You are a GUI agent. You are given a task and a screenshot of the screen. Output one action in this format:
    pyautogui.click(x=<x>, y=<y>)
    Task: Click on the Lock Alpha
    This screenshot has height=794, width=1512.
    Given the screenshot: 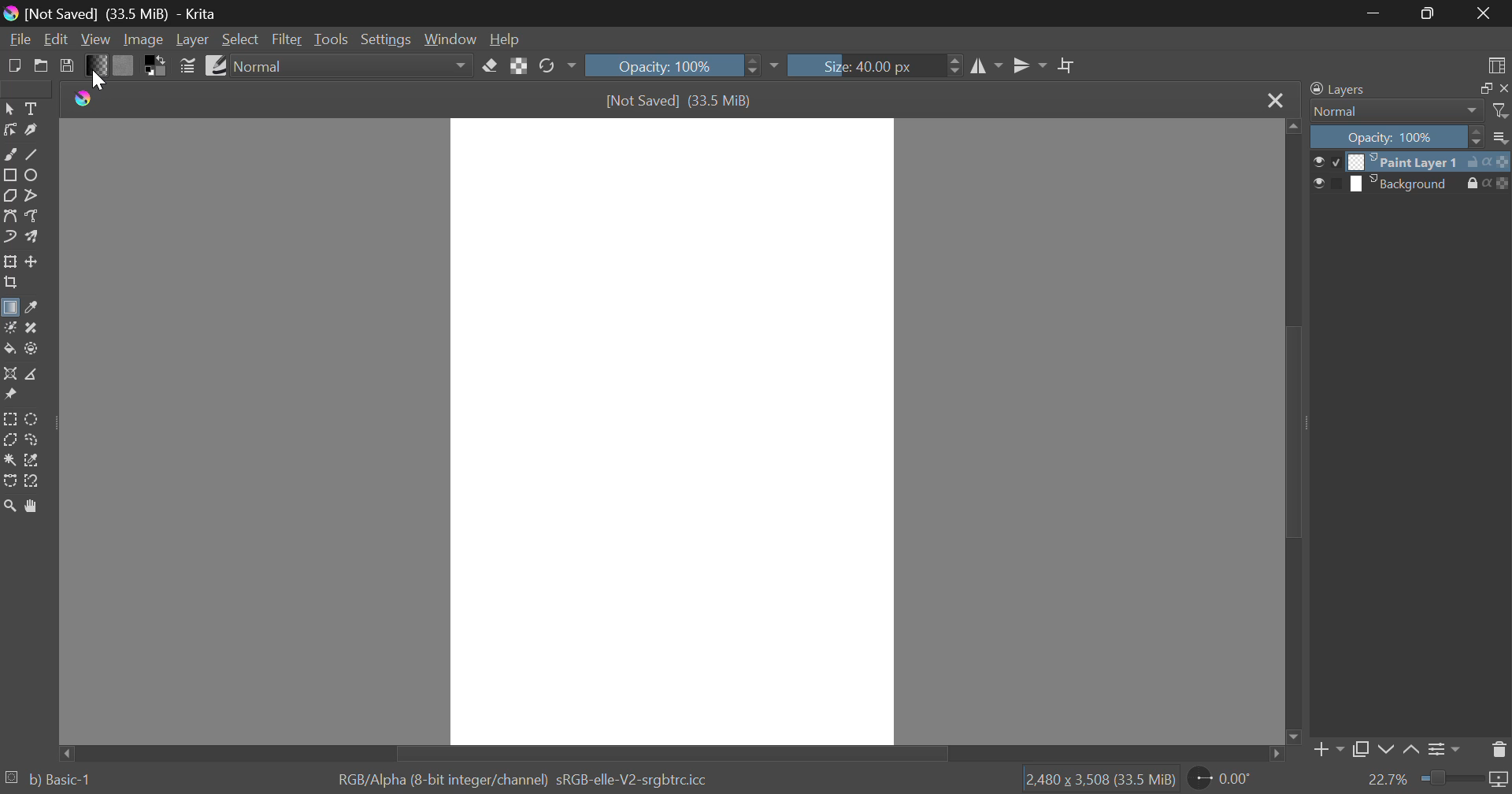 What is the action you would take?
    pyautogui.click(x=518, y=66)
    